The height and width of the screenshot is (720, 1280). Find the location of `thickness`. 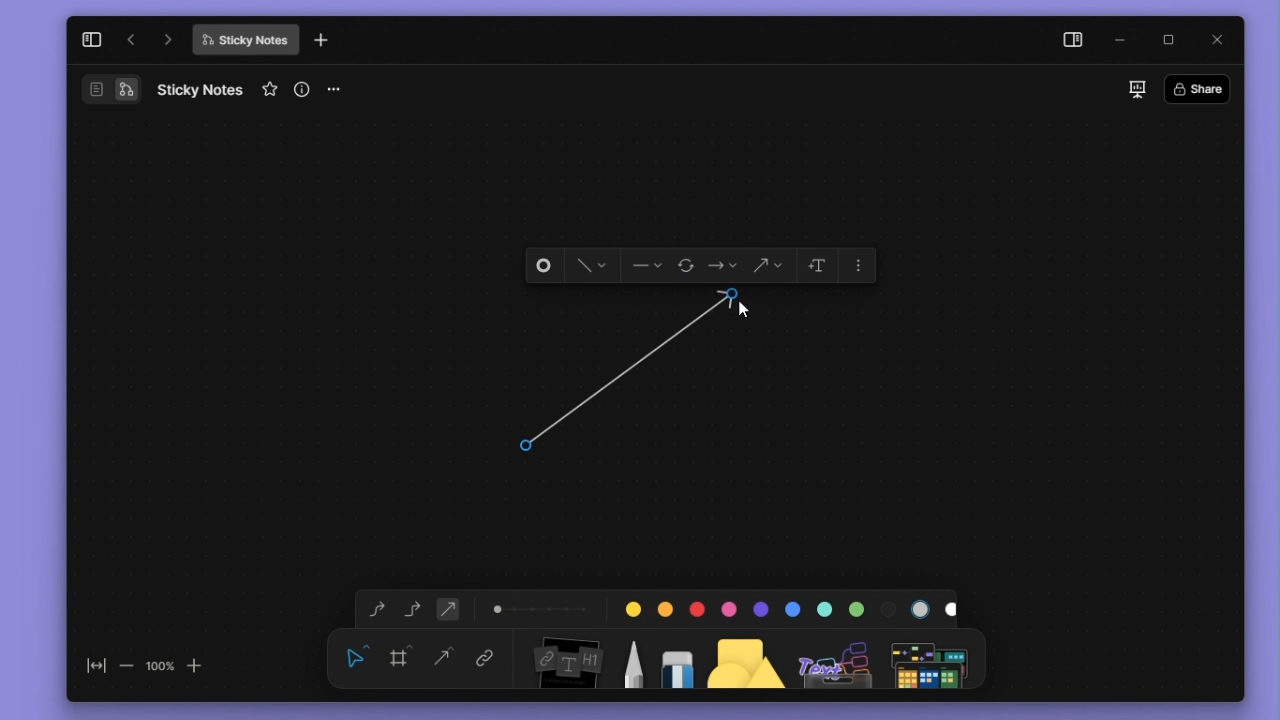

thickness is located at coordinates (541, 607).